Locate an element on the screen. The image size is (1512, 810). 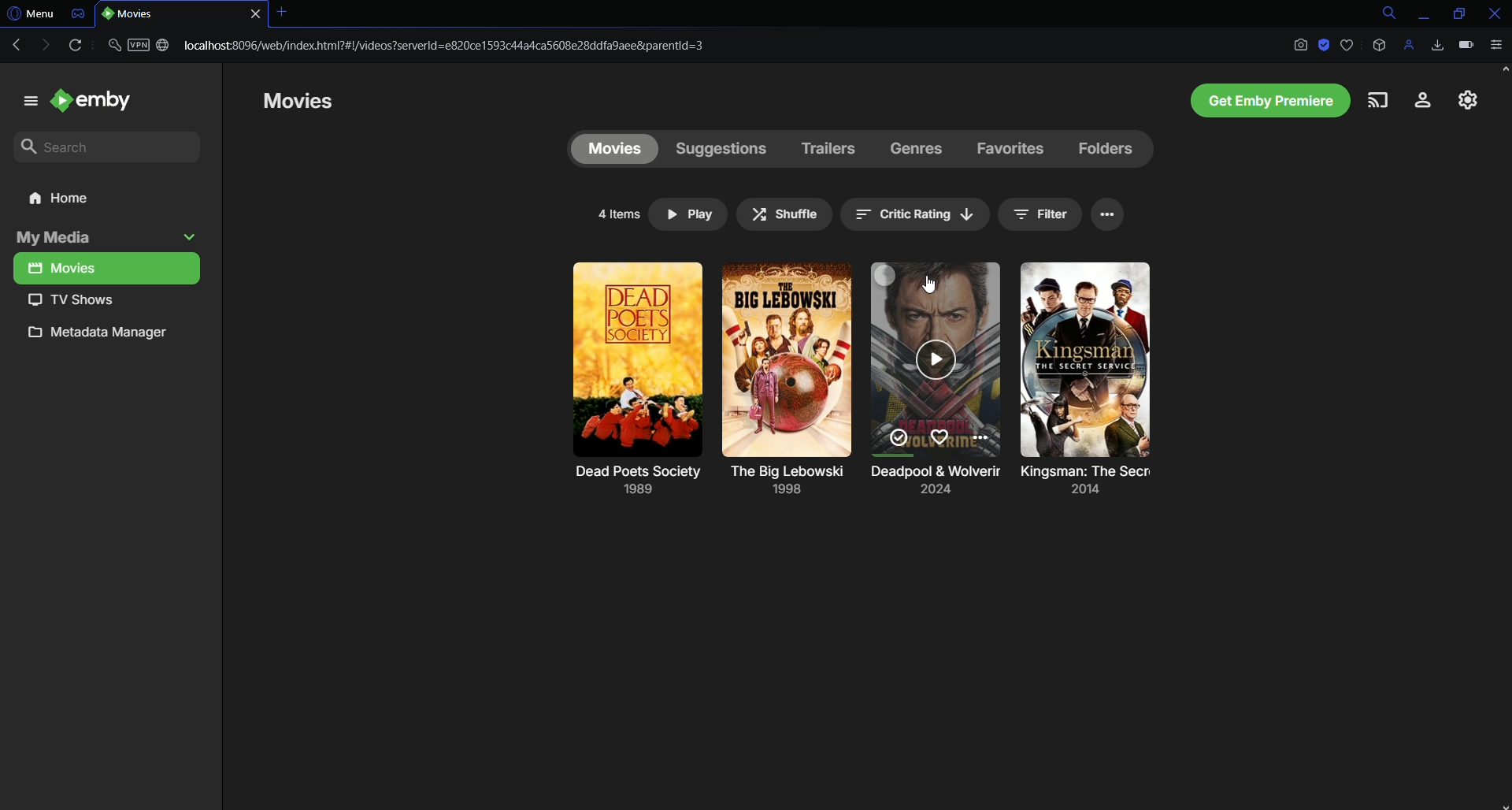
emby is located at coordinates (100, 98).